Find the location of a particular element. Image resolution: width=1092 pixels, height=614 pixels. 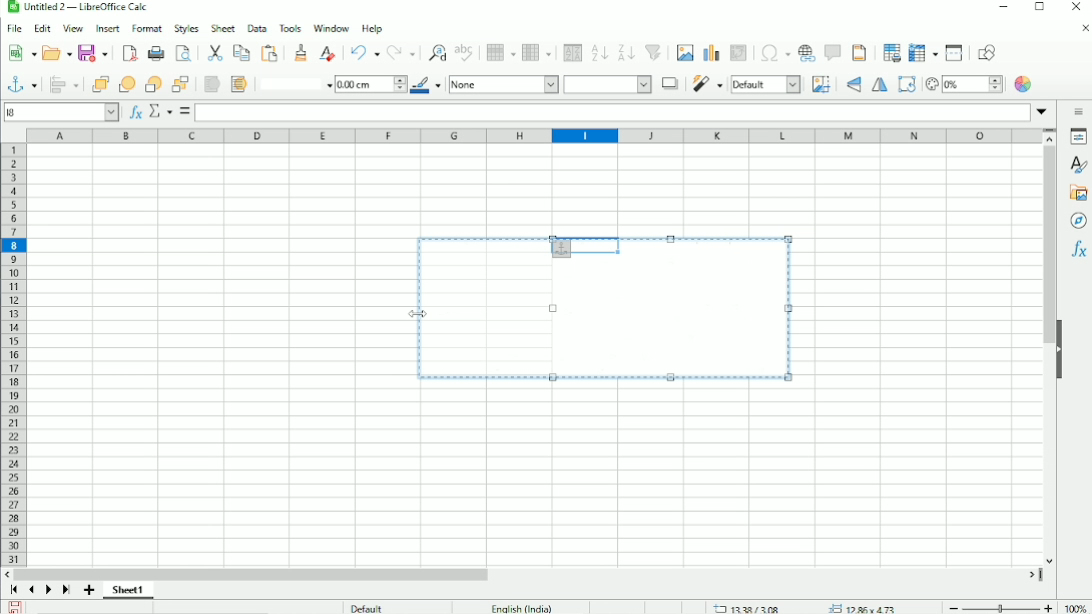

Insert hyperlink is located at coordinates (807, 53).